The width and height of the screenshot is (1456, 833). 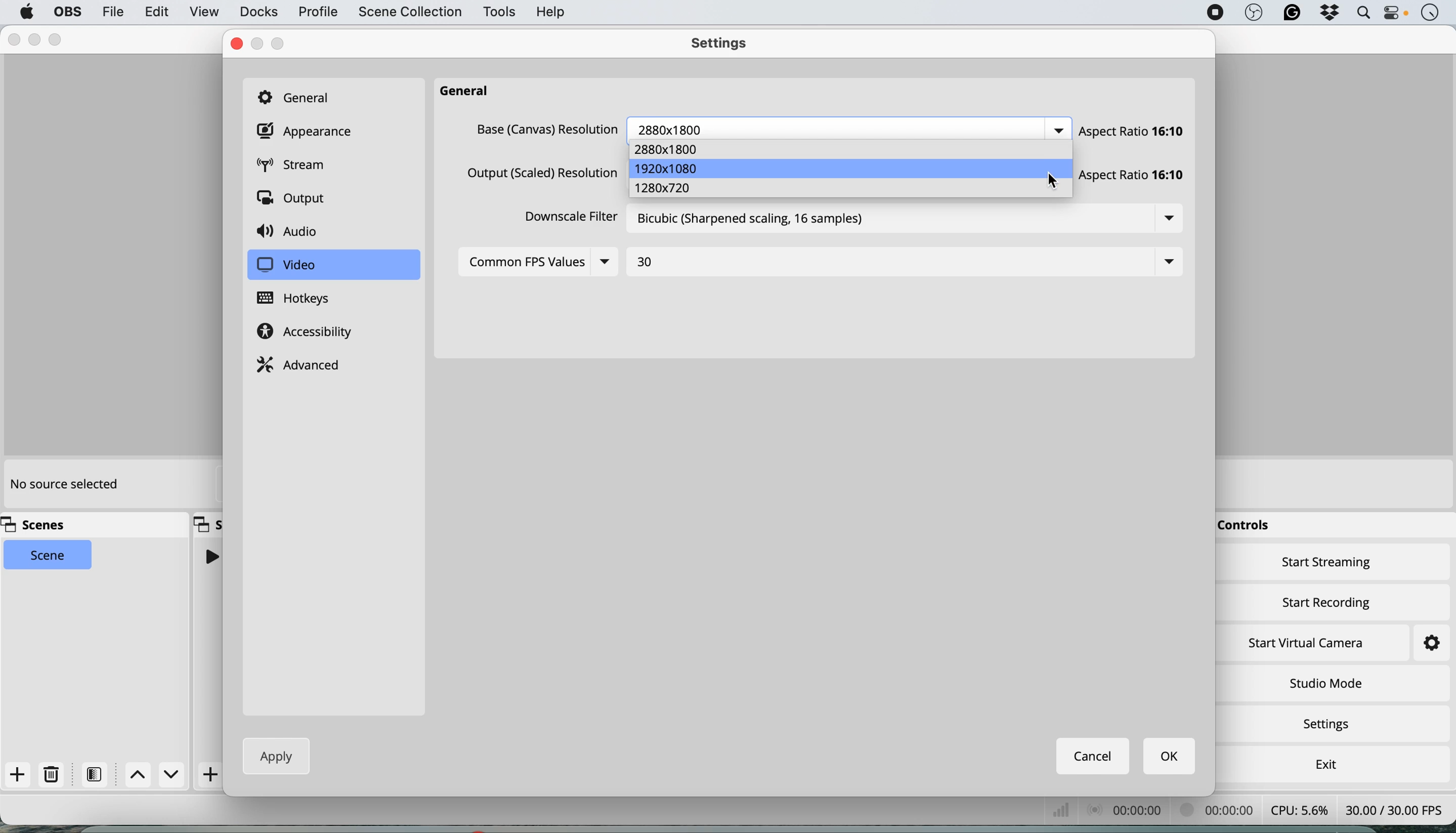 I want to click on video, so click(x=286, y=265).